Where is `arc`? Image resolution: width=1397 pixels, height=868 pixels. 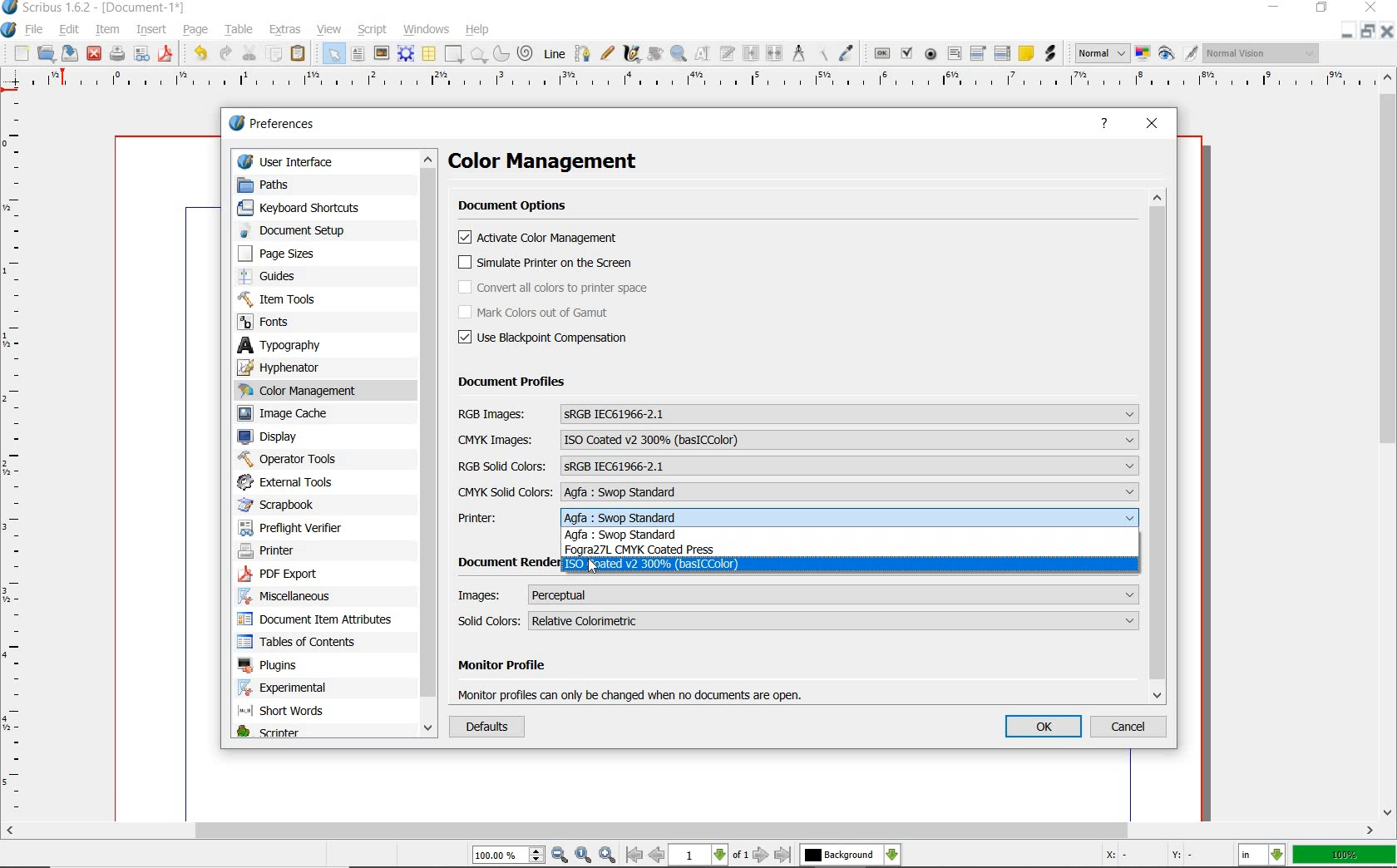
arc is located at coordinates (501, 53).